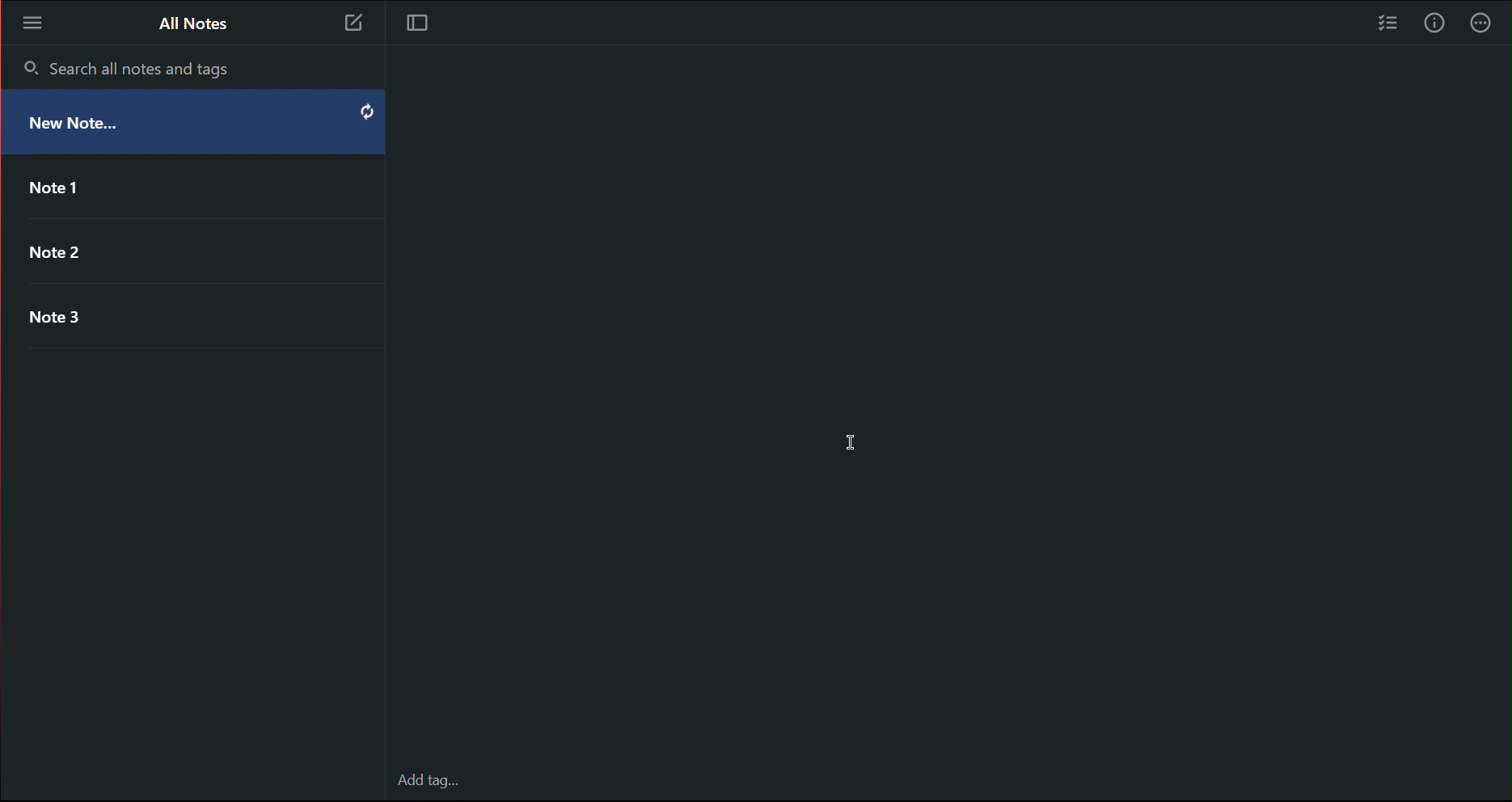 The image size is (1512, 802). What do you see at coordinates (1383, 23) in the screenshot?
I see `Checklist` at bounding box center [1383, 23].